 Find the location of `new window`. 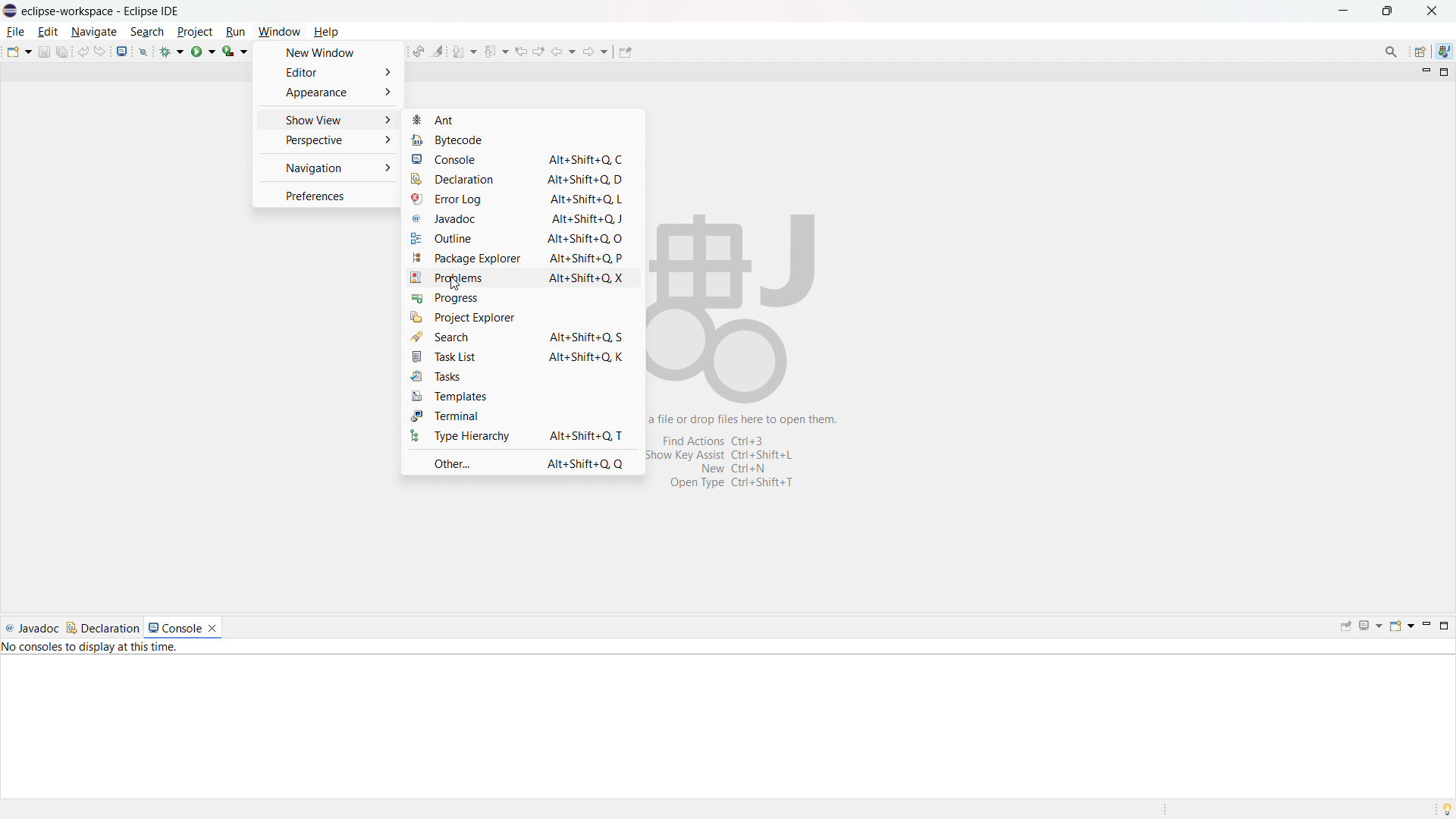

new window is located at coordinates (327, 51).